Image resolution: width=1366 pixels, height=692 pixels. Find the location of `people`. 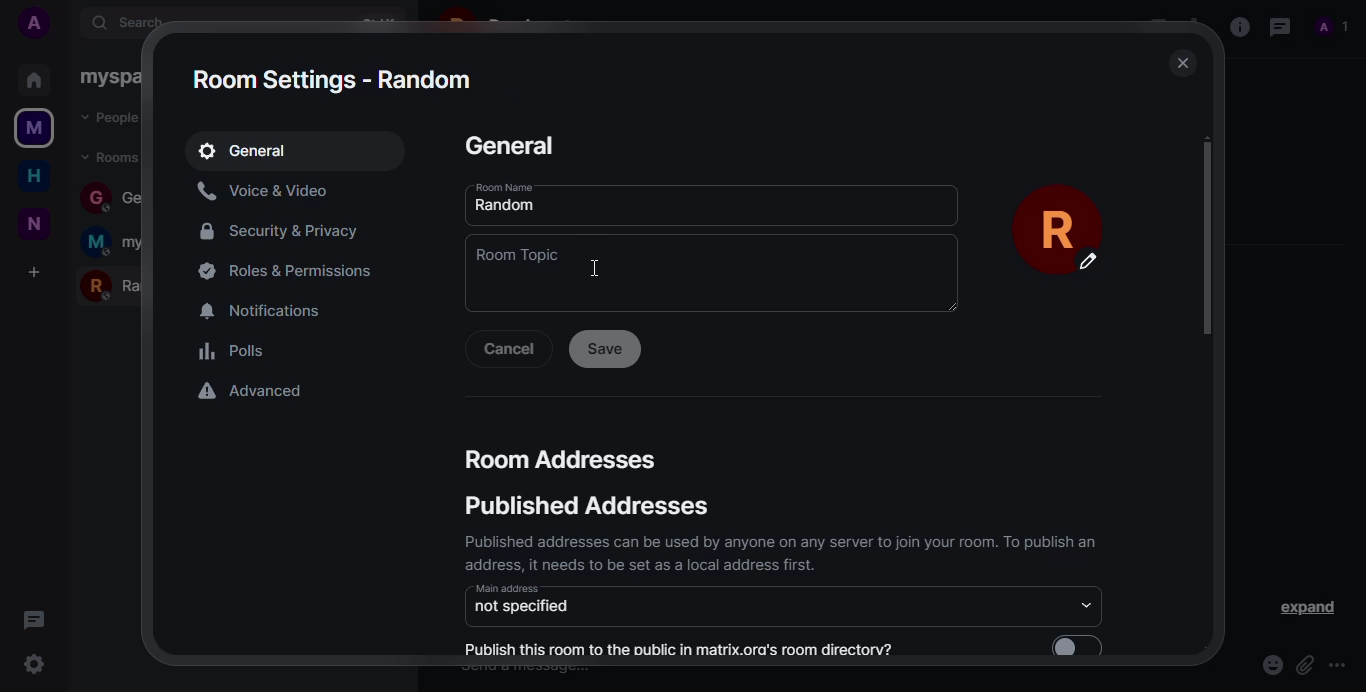

people is located at coordinates (117, 118).